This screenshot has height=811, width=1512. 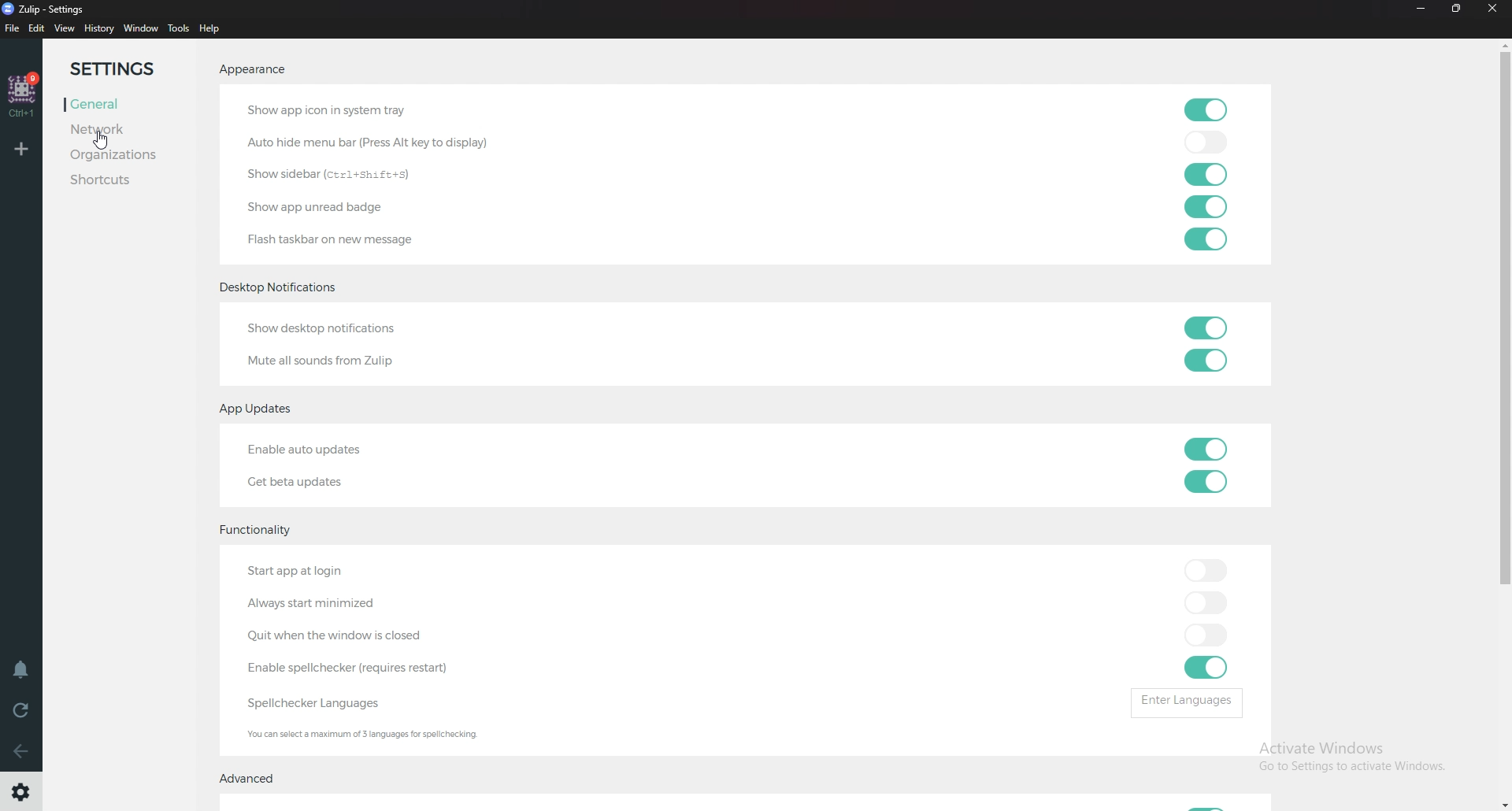 I want to click on Edit, so click(x=38, y=29).